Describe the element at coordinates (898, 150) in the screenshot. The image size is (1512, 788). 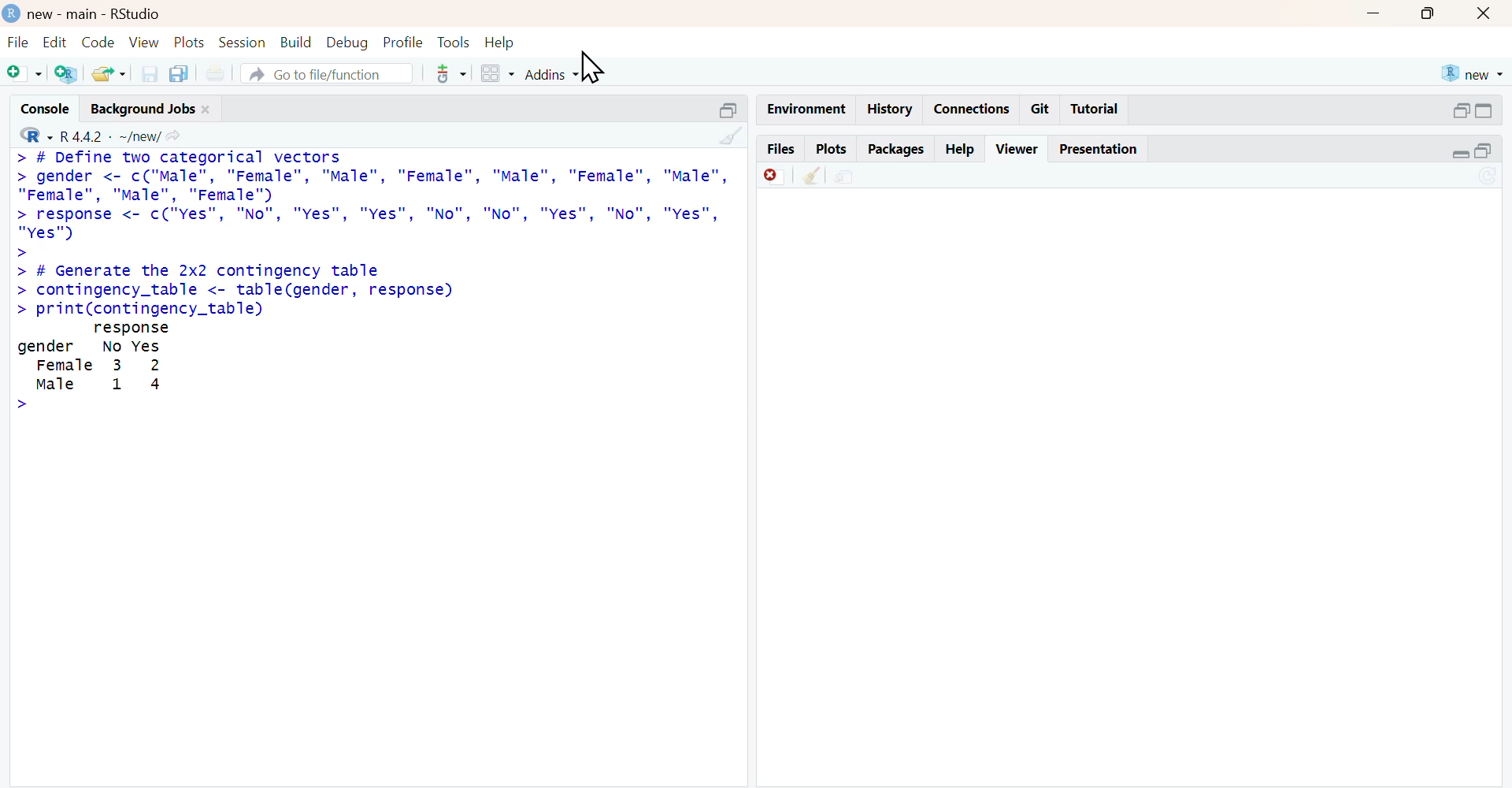
I see `packages` at that location.